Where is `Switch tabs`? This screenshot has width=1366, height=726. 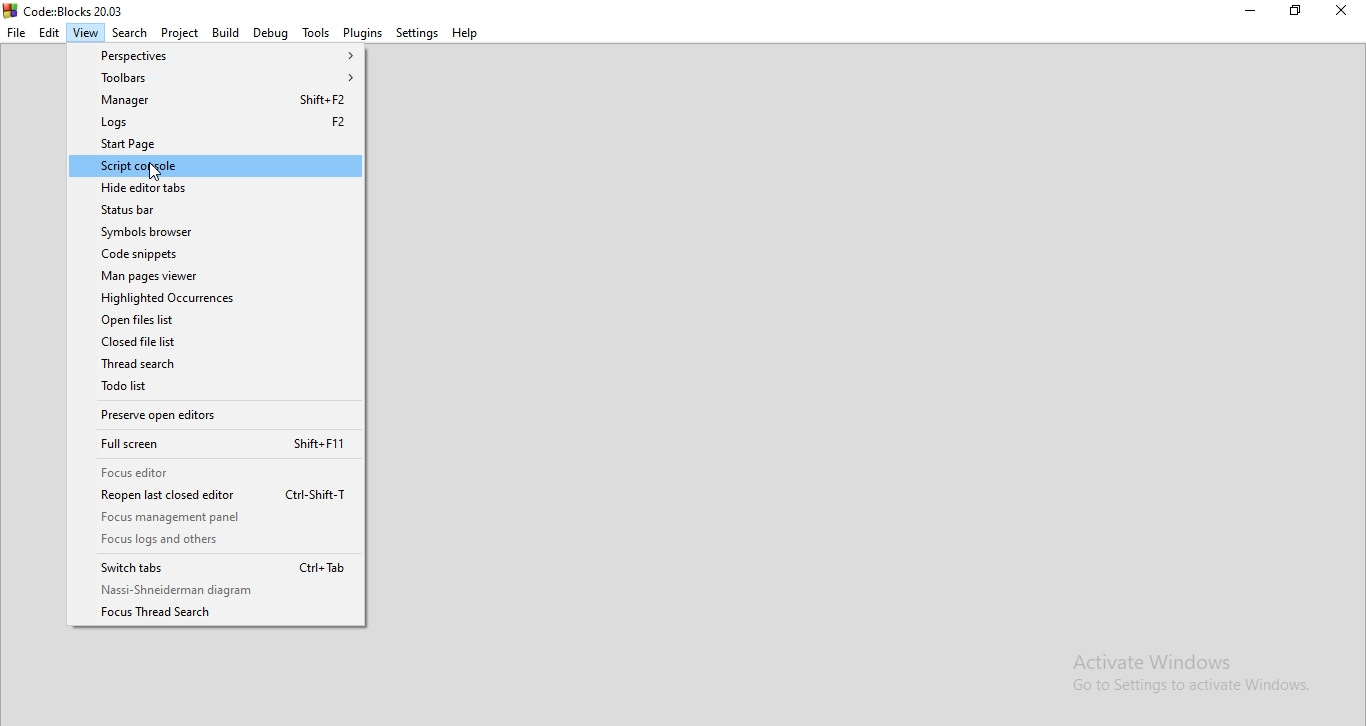
Switch tabs is located at coordinates (213, 566).